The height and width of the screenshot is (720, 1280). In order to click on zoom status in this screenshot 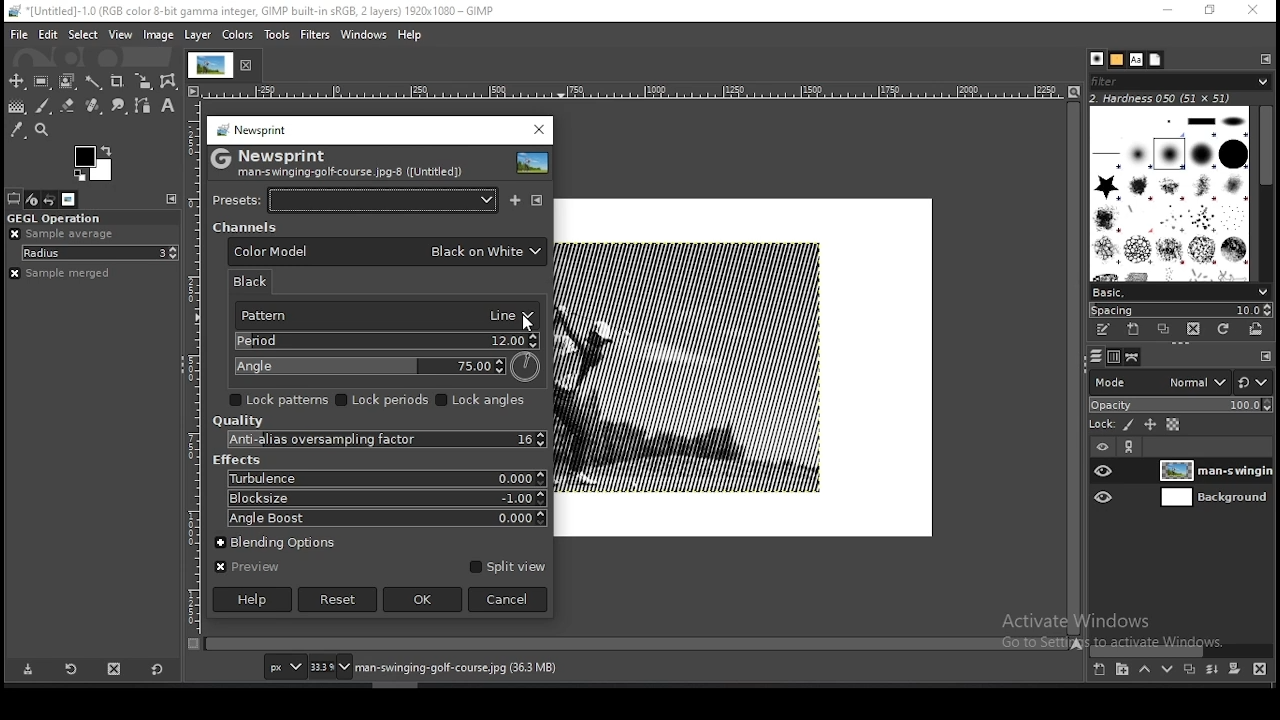, I will do `click(329, 666)`.